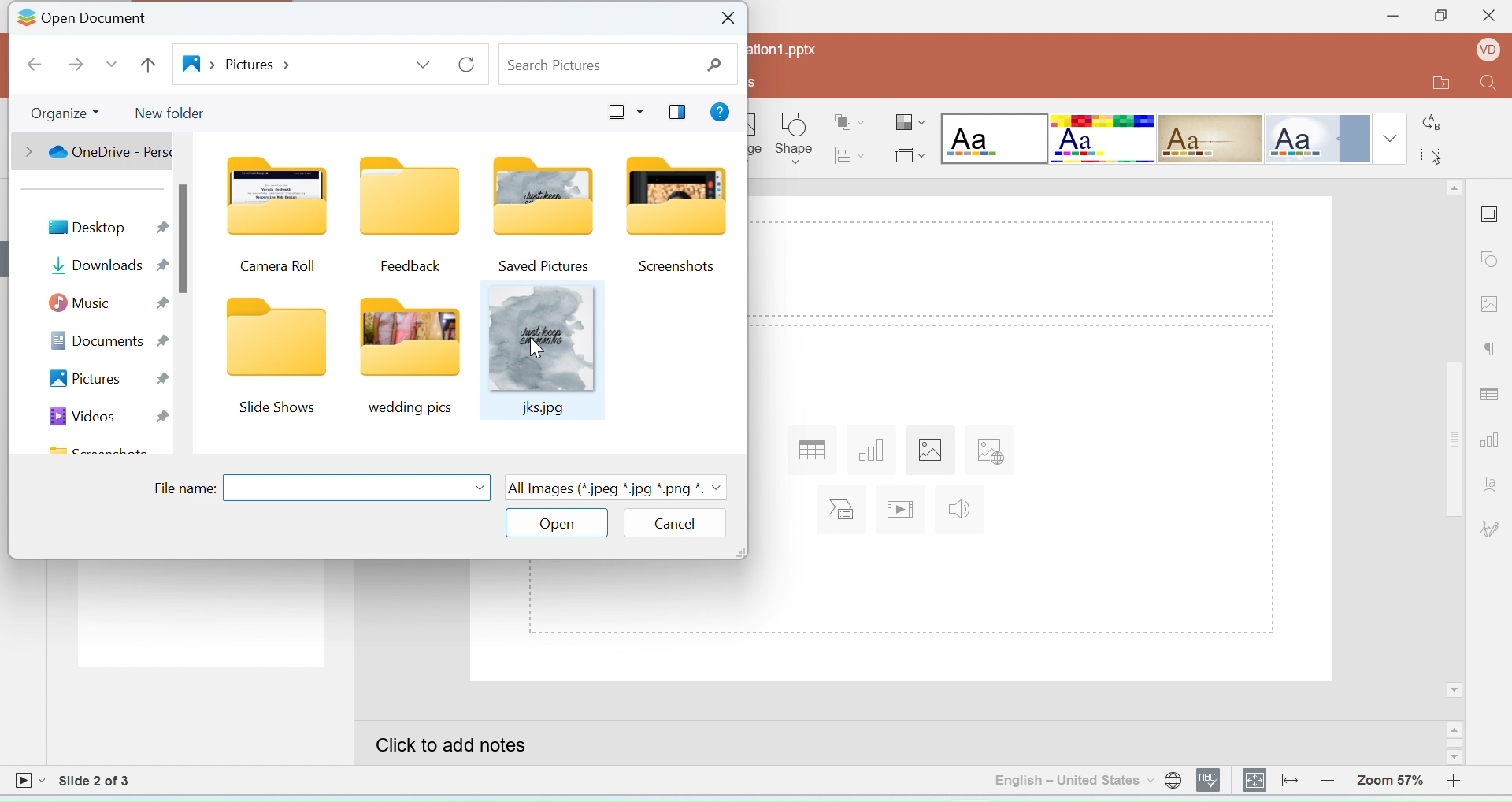 Image resolution: width=1512 pixels, height=802 pixels. I want to click on folder-3, so click(540, 214).